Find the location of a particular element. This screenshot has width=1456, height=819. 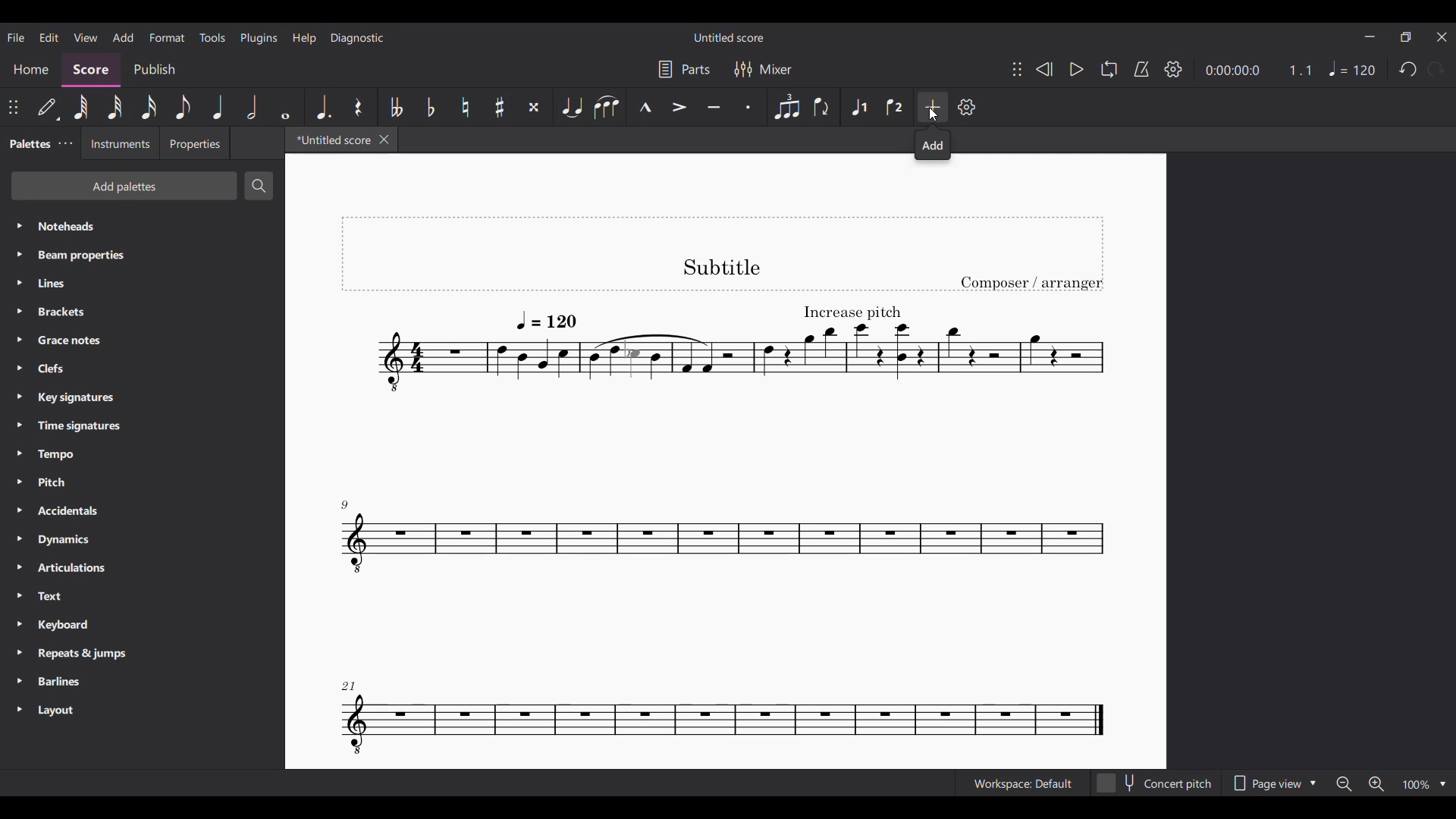

Beam properties is located at coordinates (142, 255).